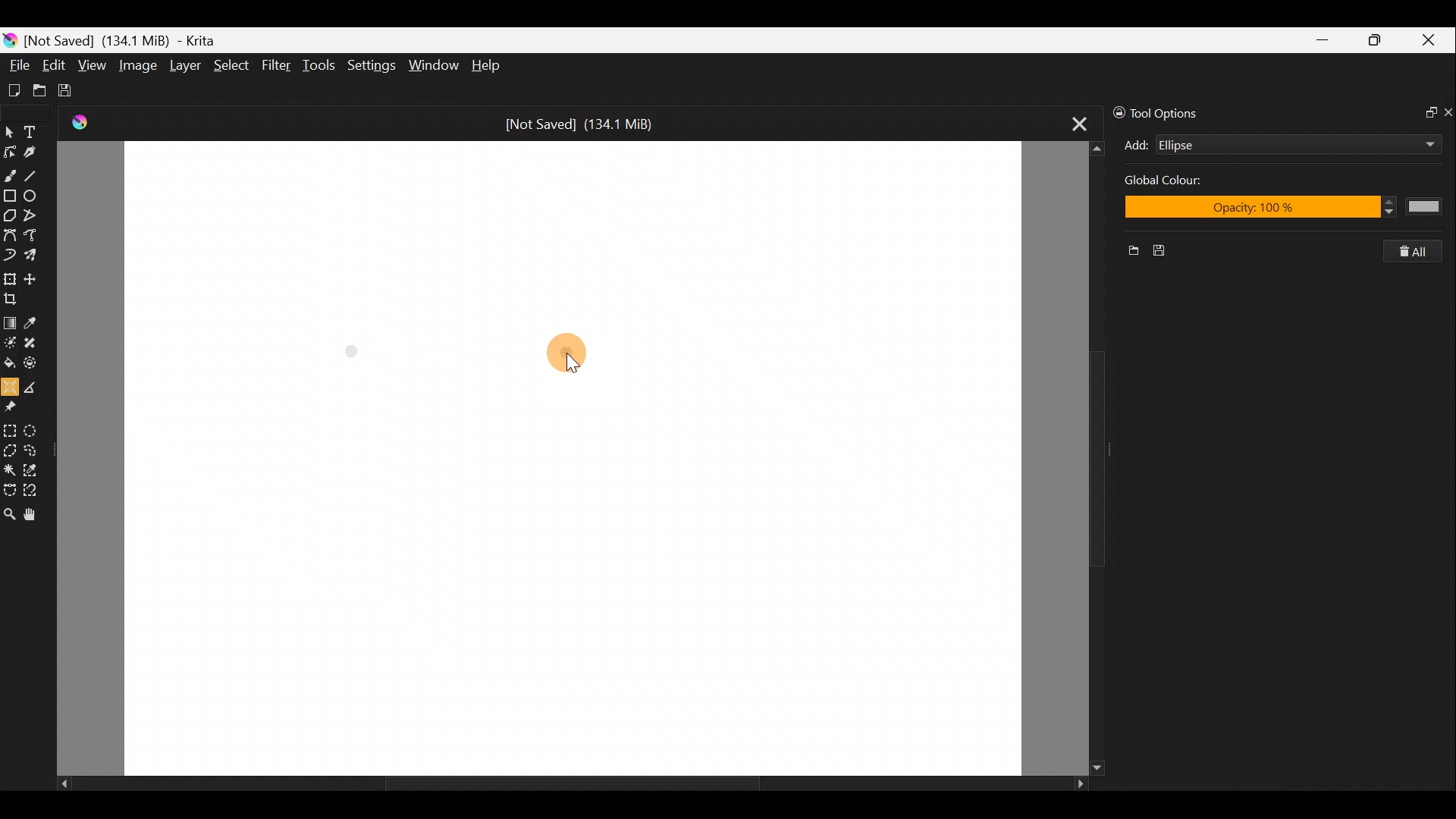  I want to click on Enclose and fill tool, so click(37, 366).